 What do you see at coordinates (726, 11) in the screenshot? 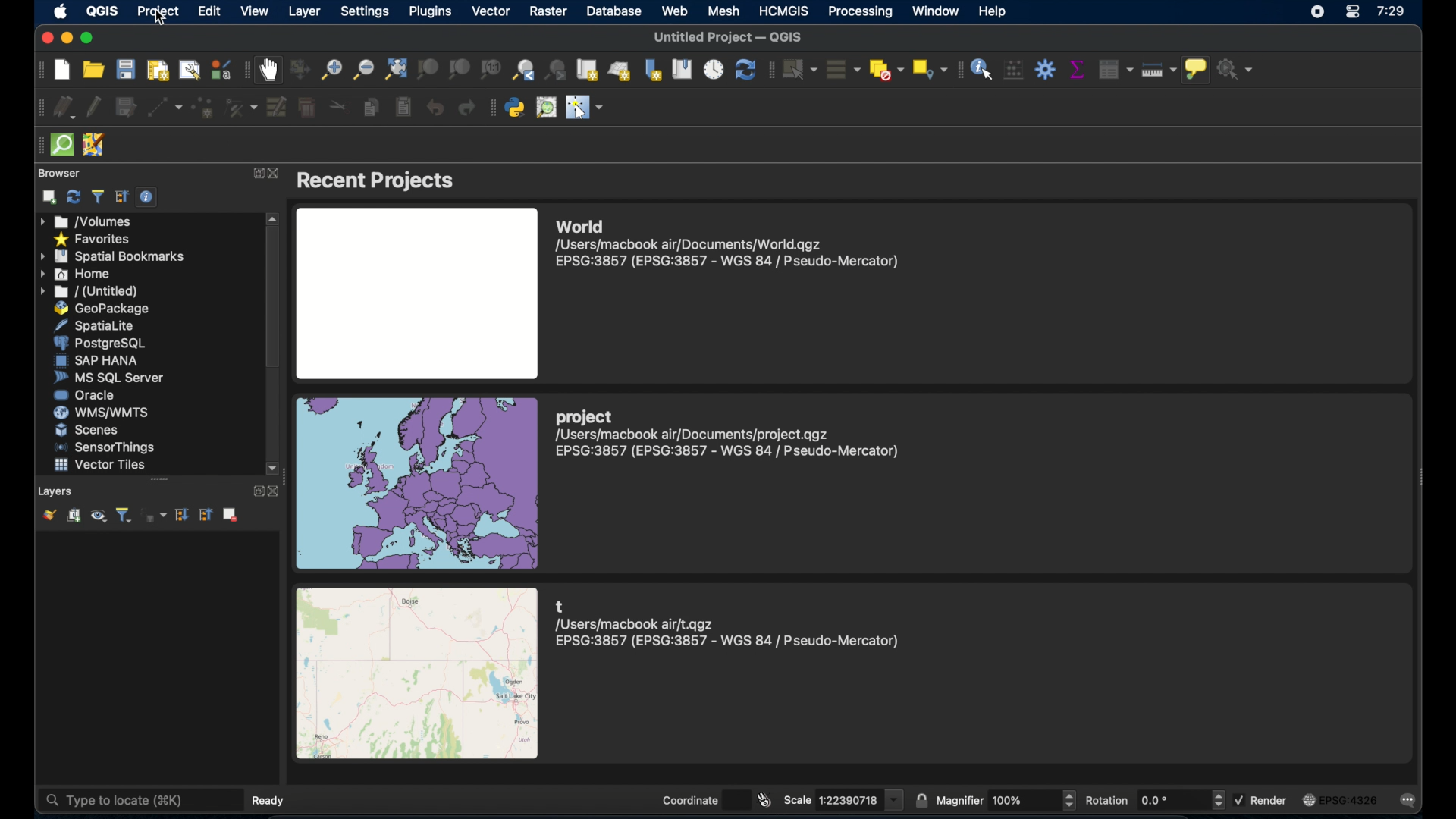
I see `mesh` at bounding box center [726, 11].